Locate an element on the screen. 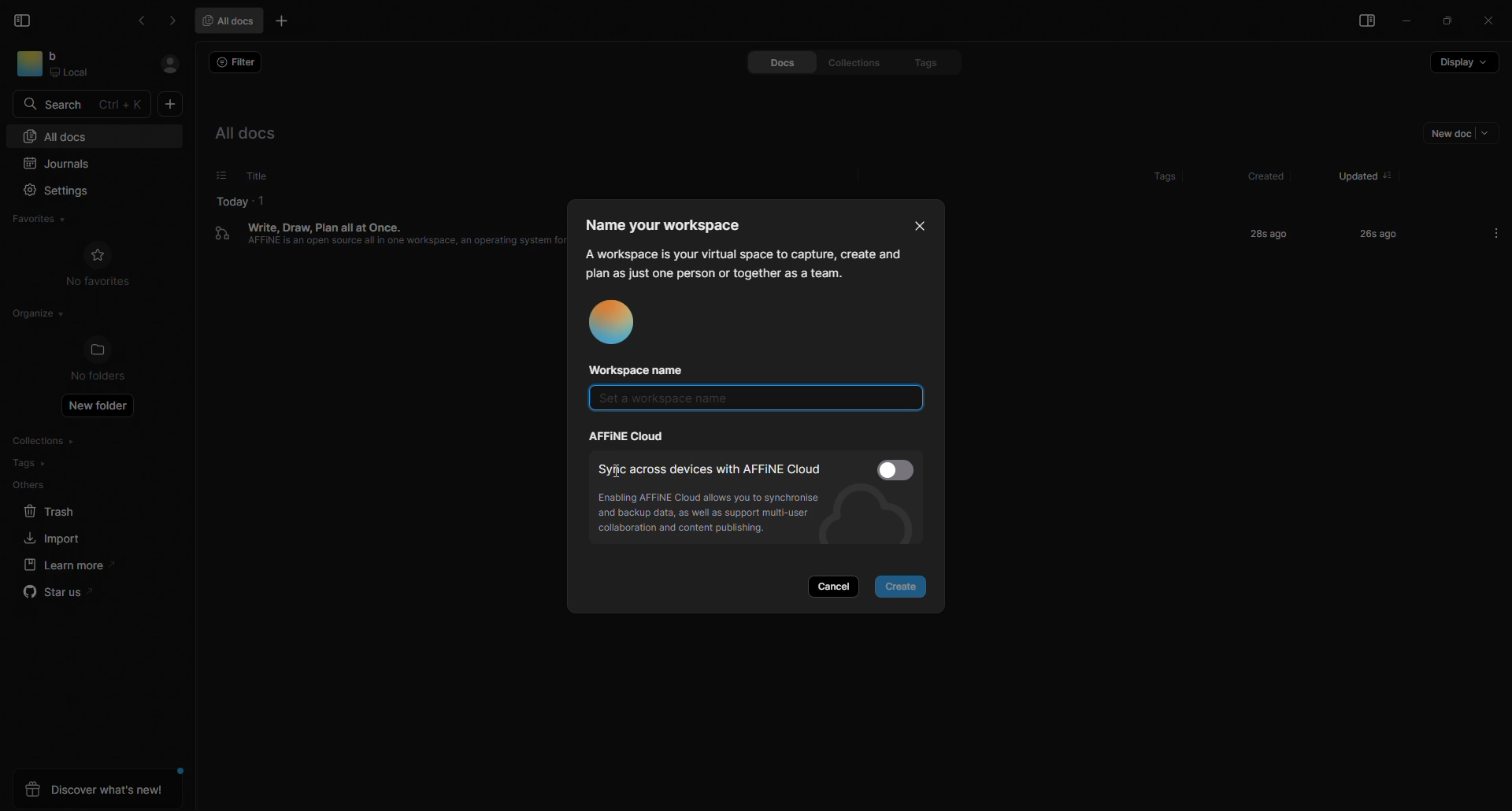 This screenshot has height=811, width=1512. others is located at coordinates (30, 485).